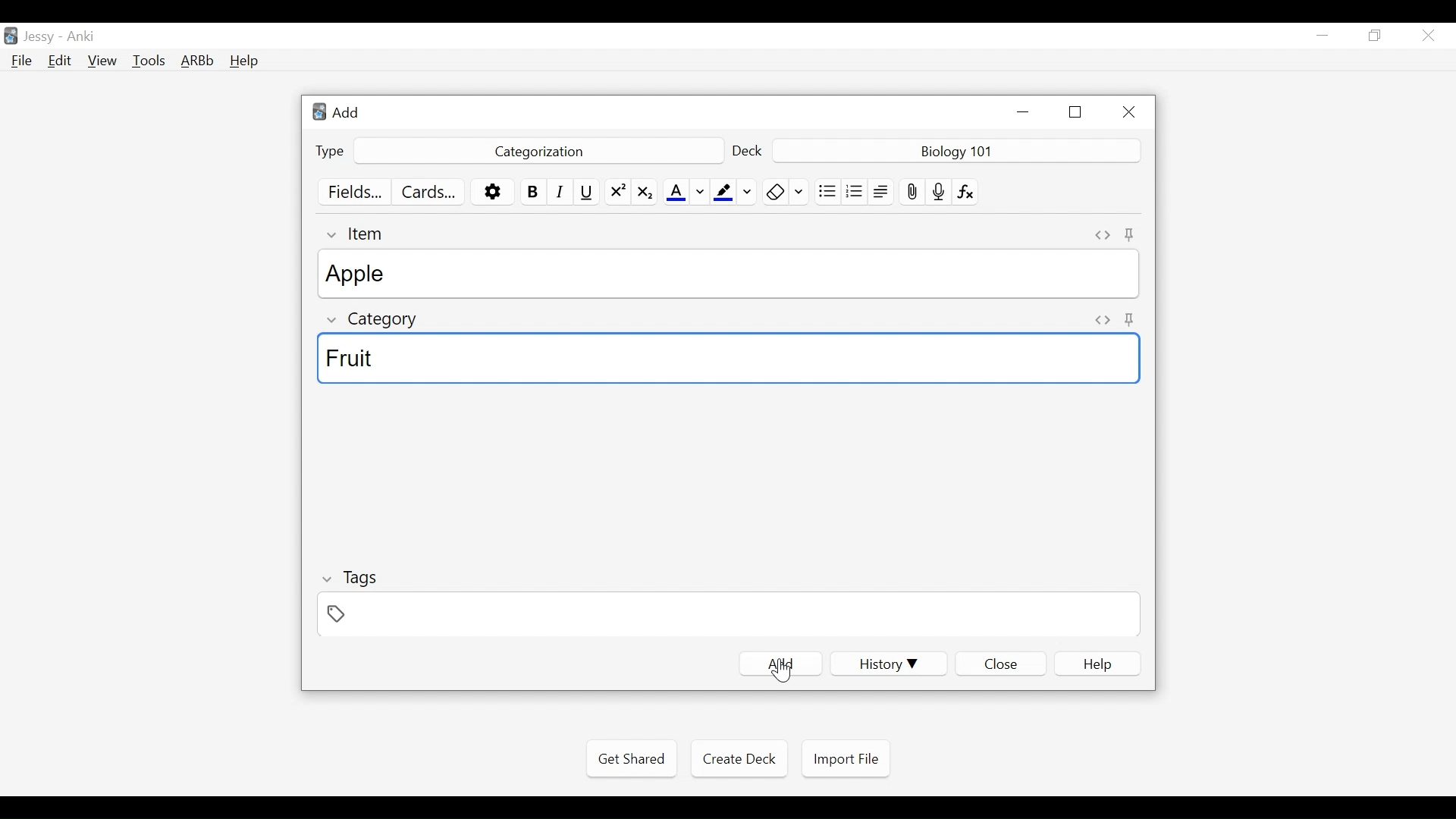 The image size is (1456, 819). What do you see at coordinates (846, 759) in the screenshot?
I see `Import File` at bounding box center [846, 759].